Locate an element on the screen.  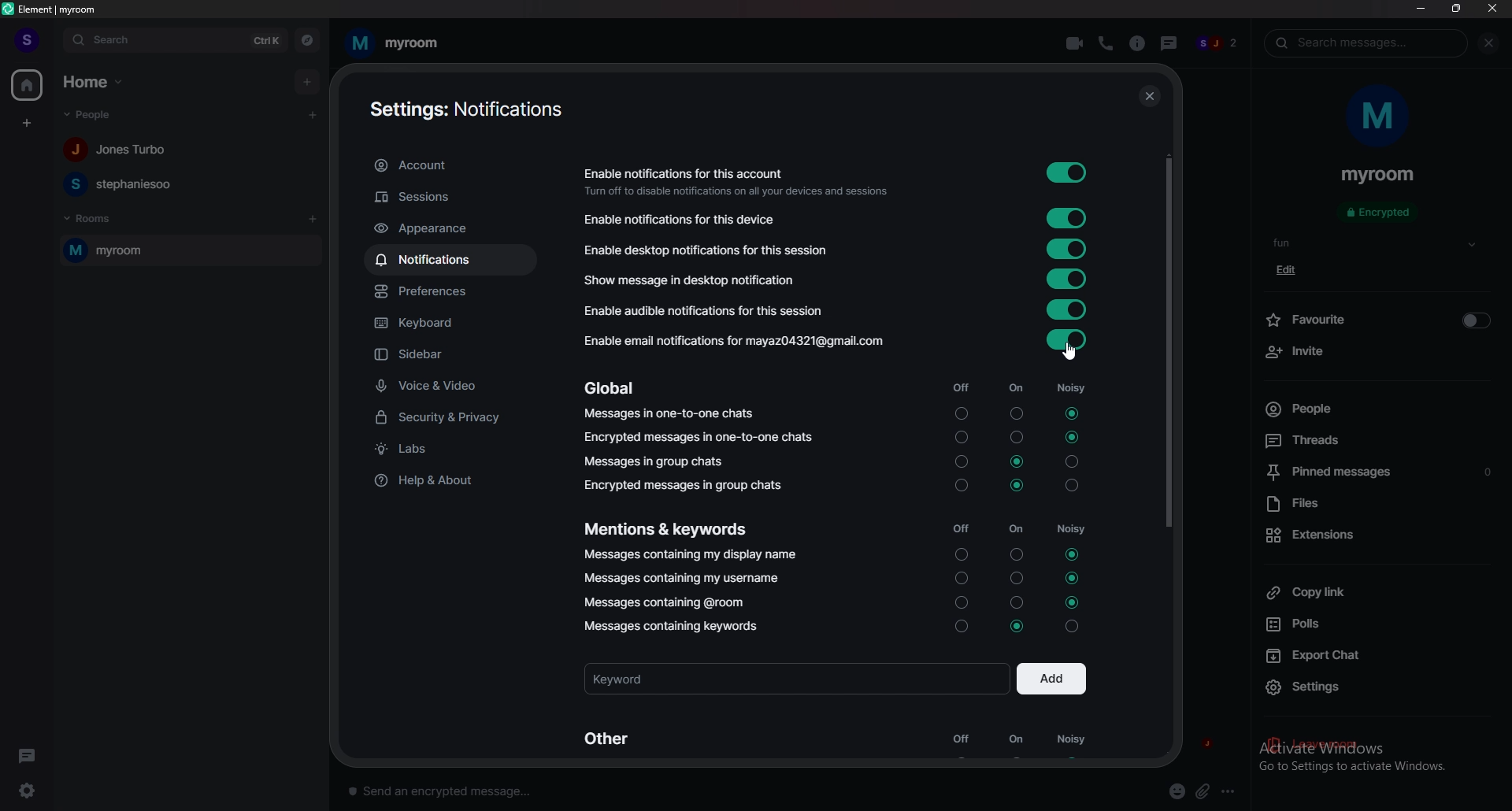
attachment is located at coordinates (1203, 792).